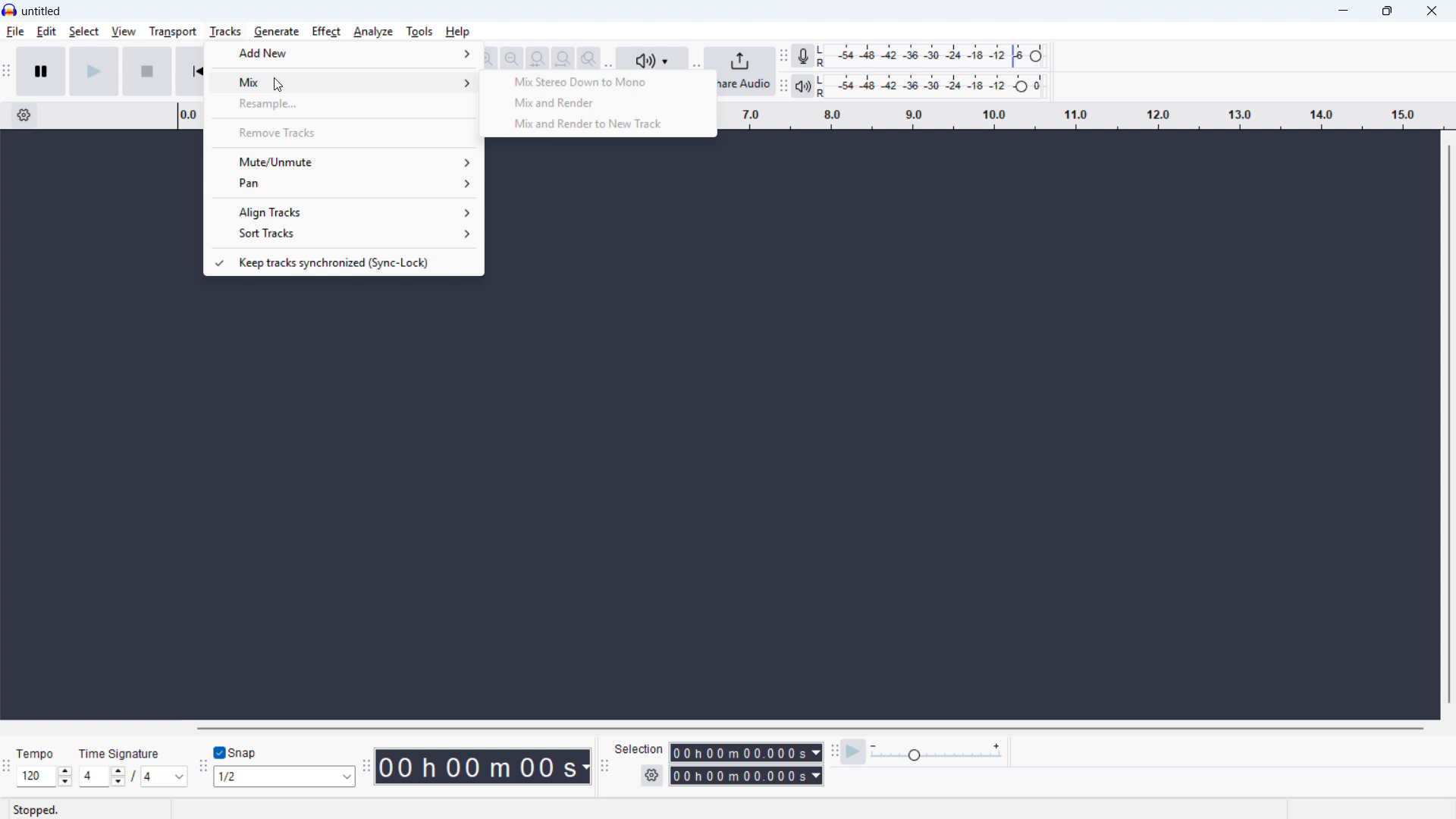 The height and width of the screenshot is (819, 1456). Describe the element at coordinates (936, 753) in the screenshot. I see `Play back speed ` at that location.